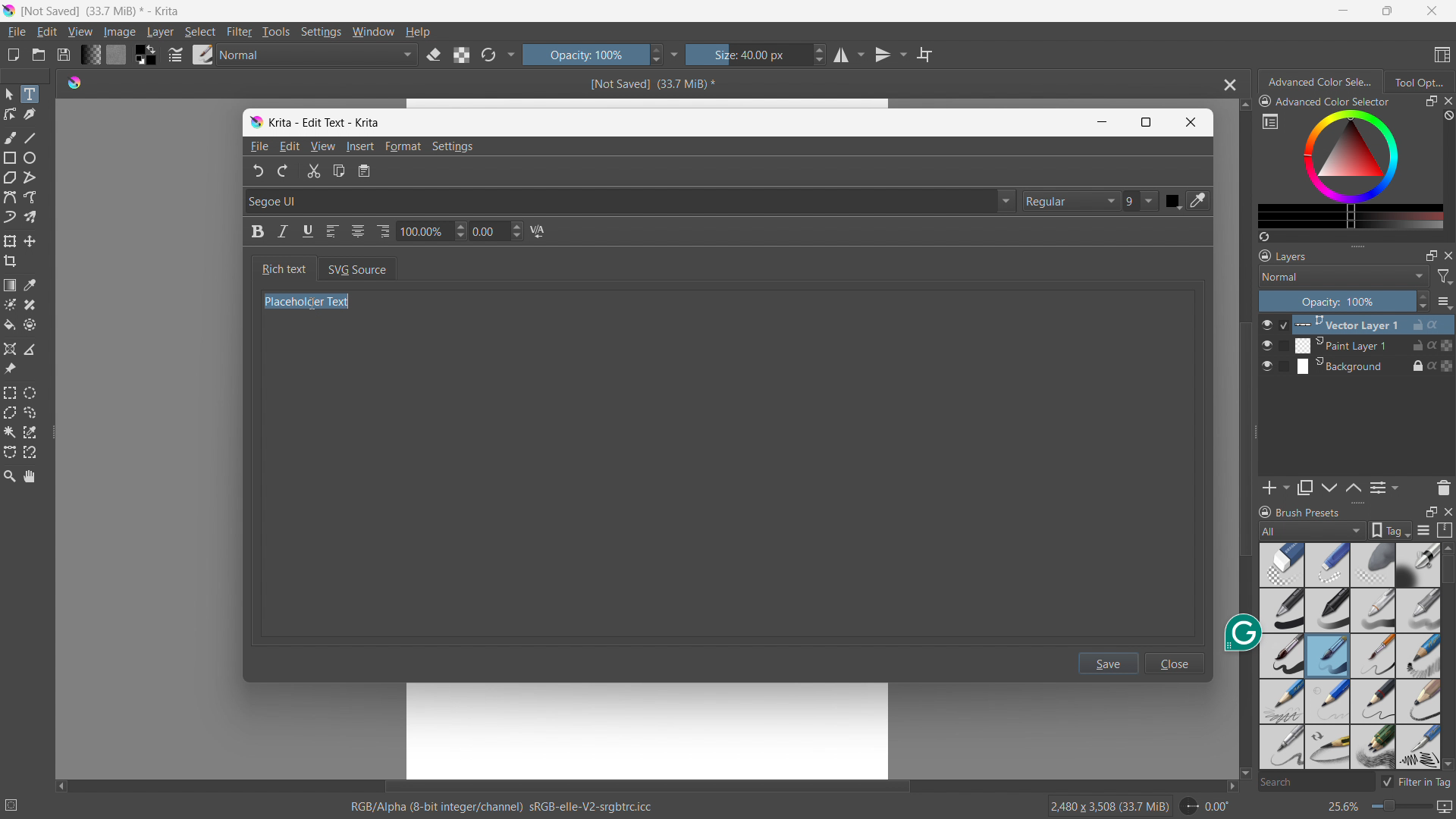  I want to click on maximize, so click(1385, 11).